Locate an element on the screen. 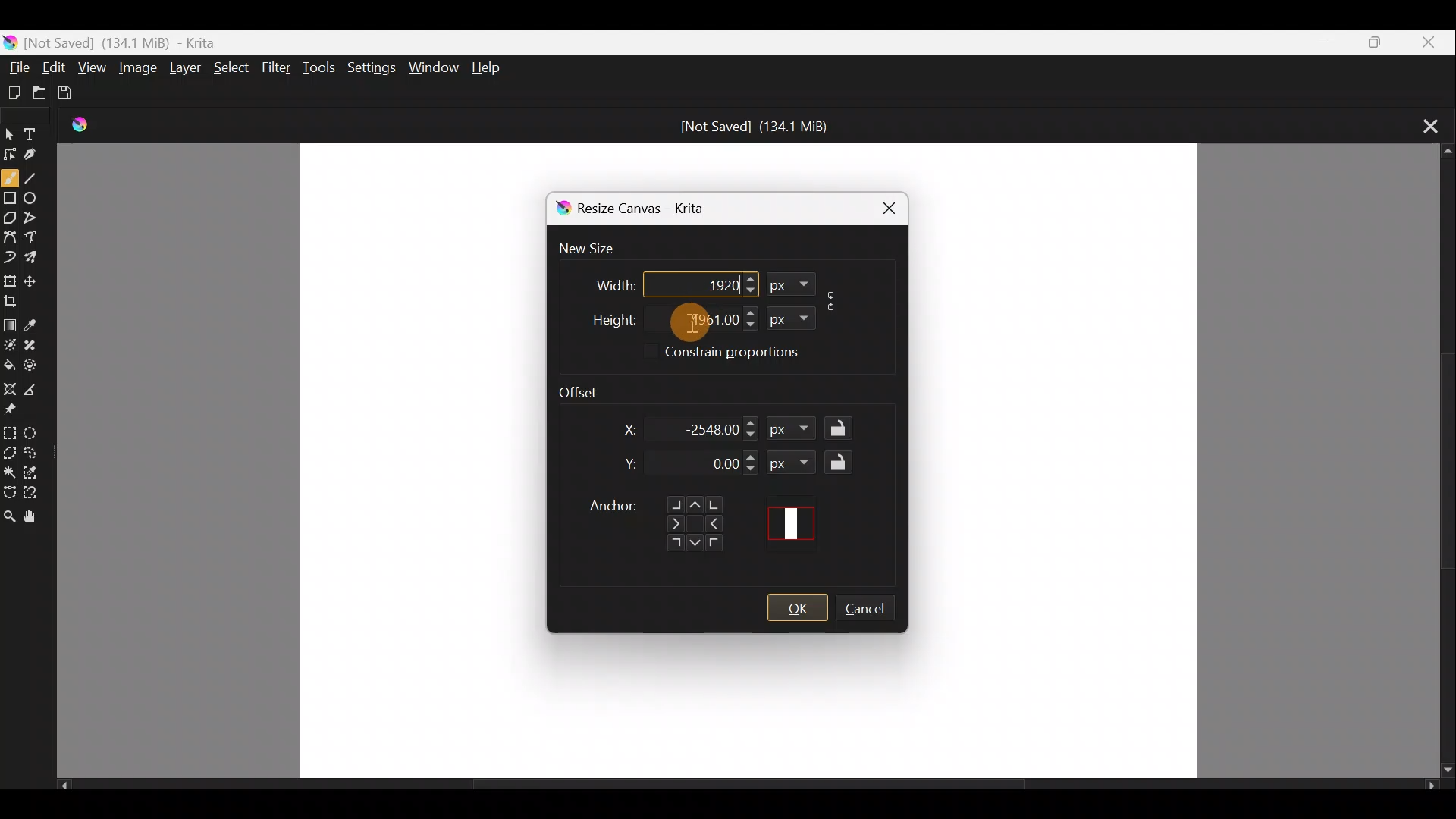  Preview is located at coordinates (796, 523).